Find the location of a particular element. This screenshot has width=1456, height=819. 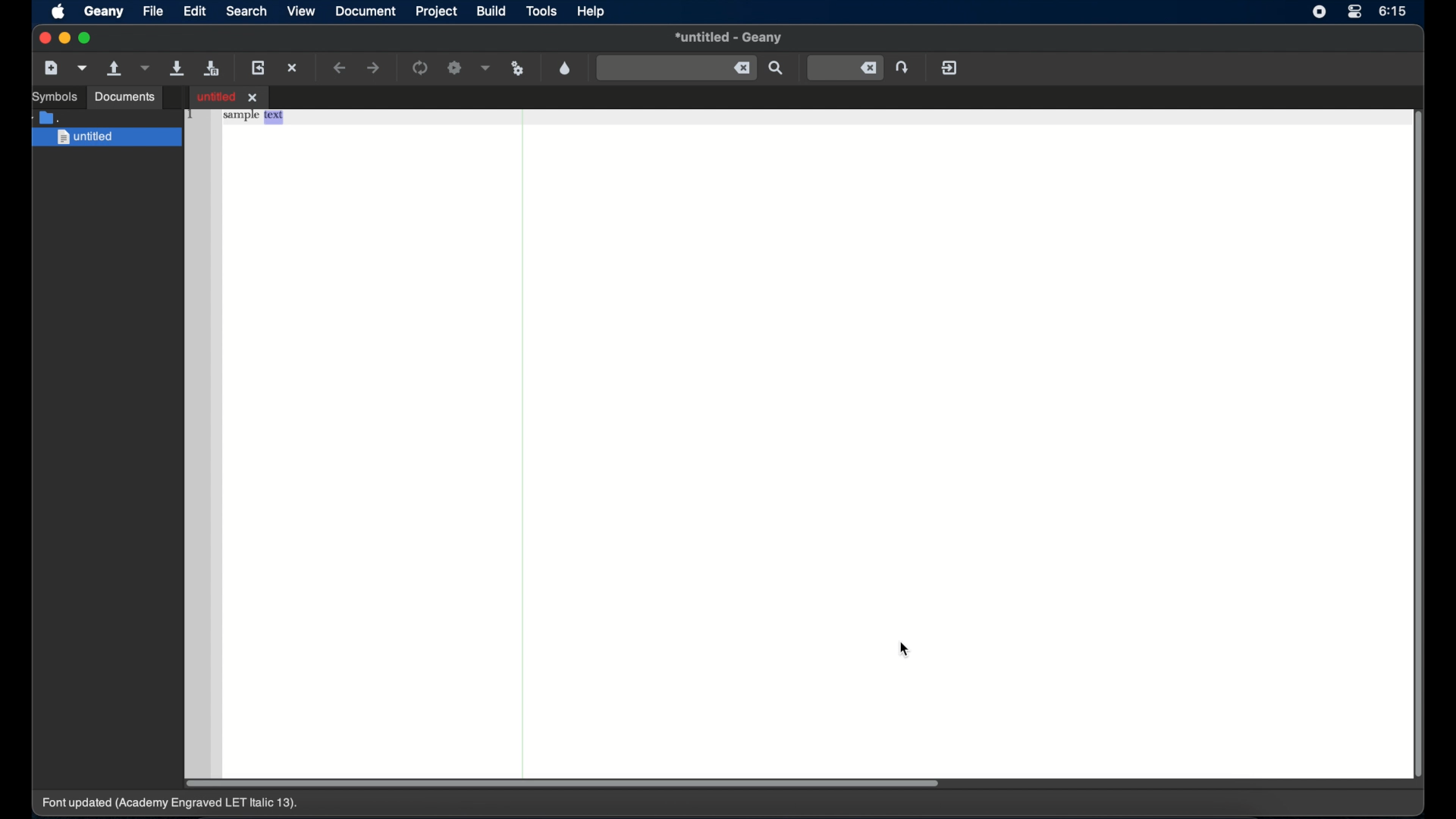

run or view the current file is located at coordinates (518, 67).